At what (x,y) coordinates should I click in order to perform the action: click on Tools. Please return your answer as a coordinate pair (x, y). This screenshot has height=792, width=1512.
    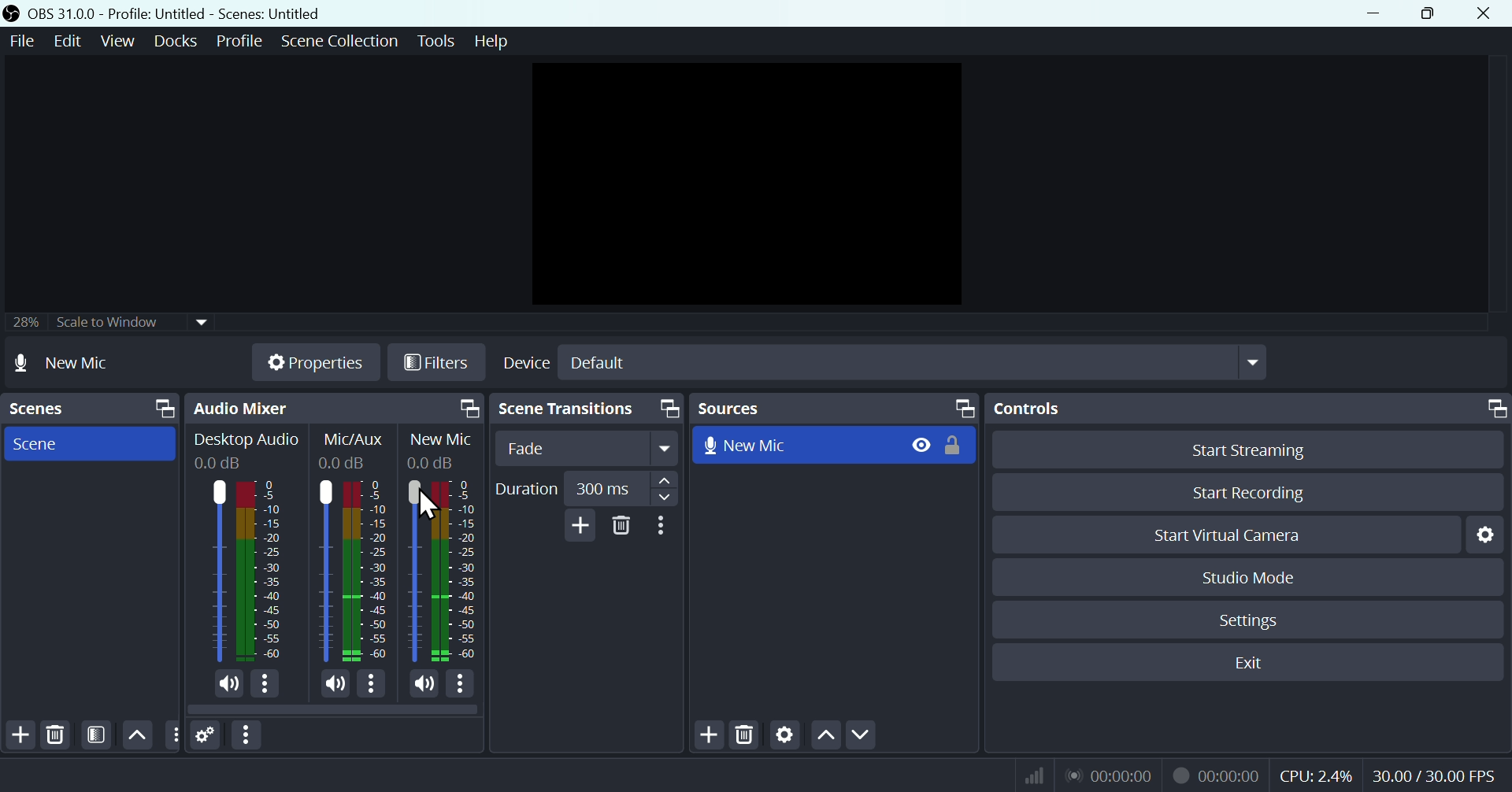
    Looking at the image, I should click on (439, 41).